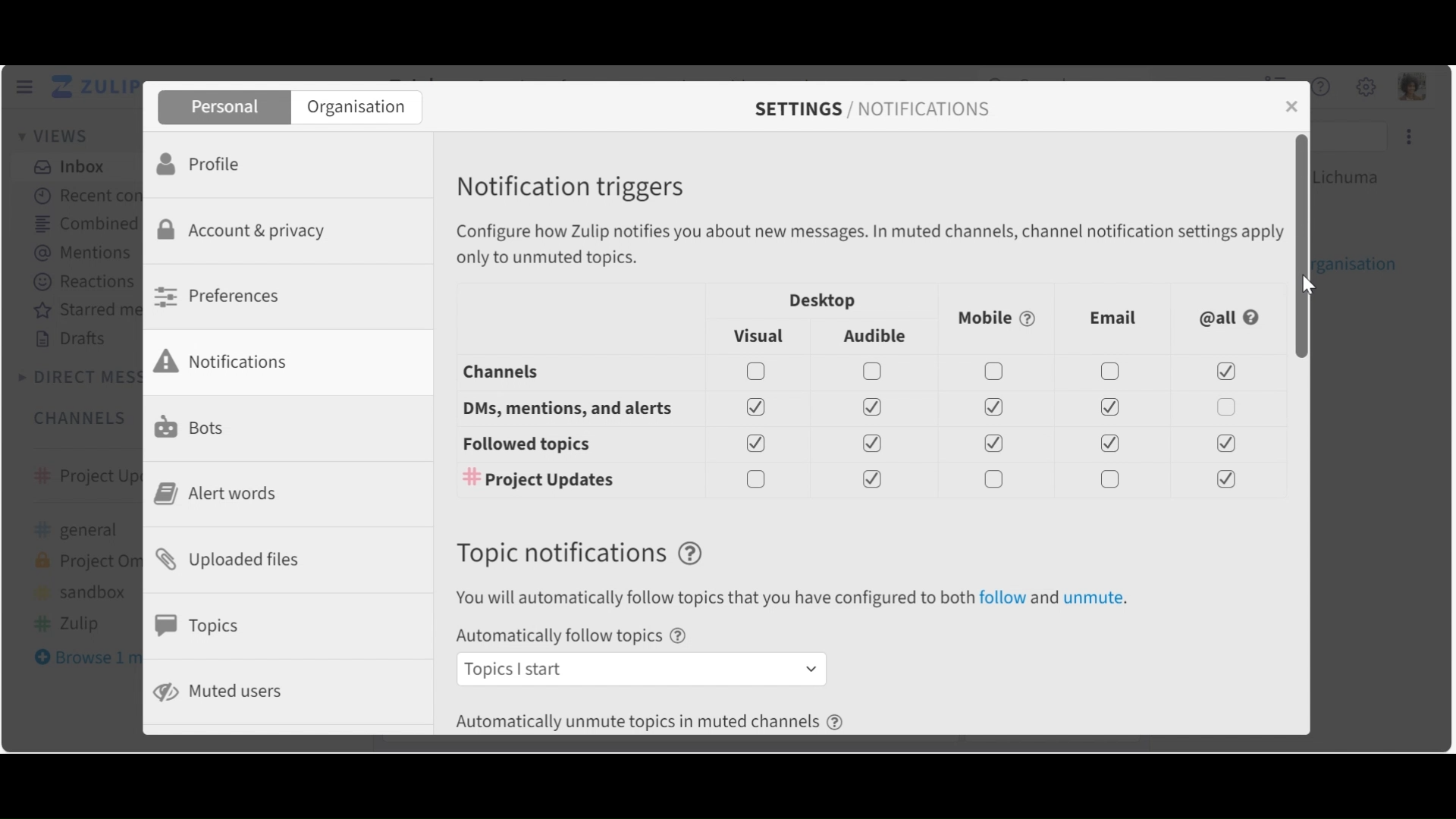 The height and width of the screenshot is (819, 1456). Describe the element at coordinates (1290, 107) in the screenshot. I see `close` at that location.